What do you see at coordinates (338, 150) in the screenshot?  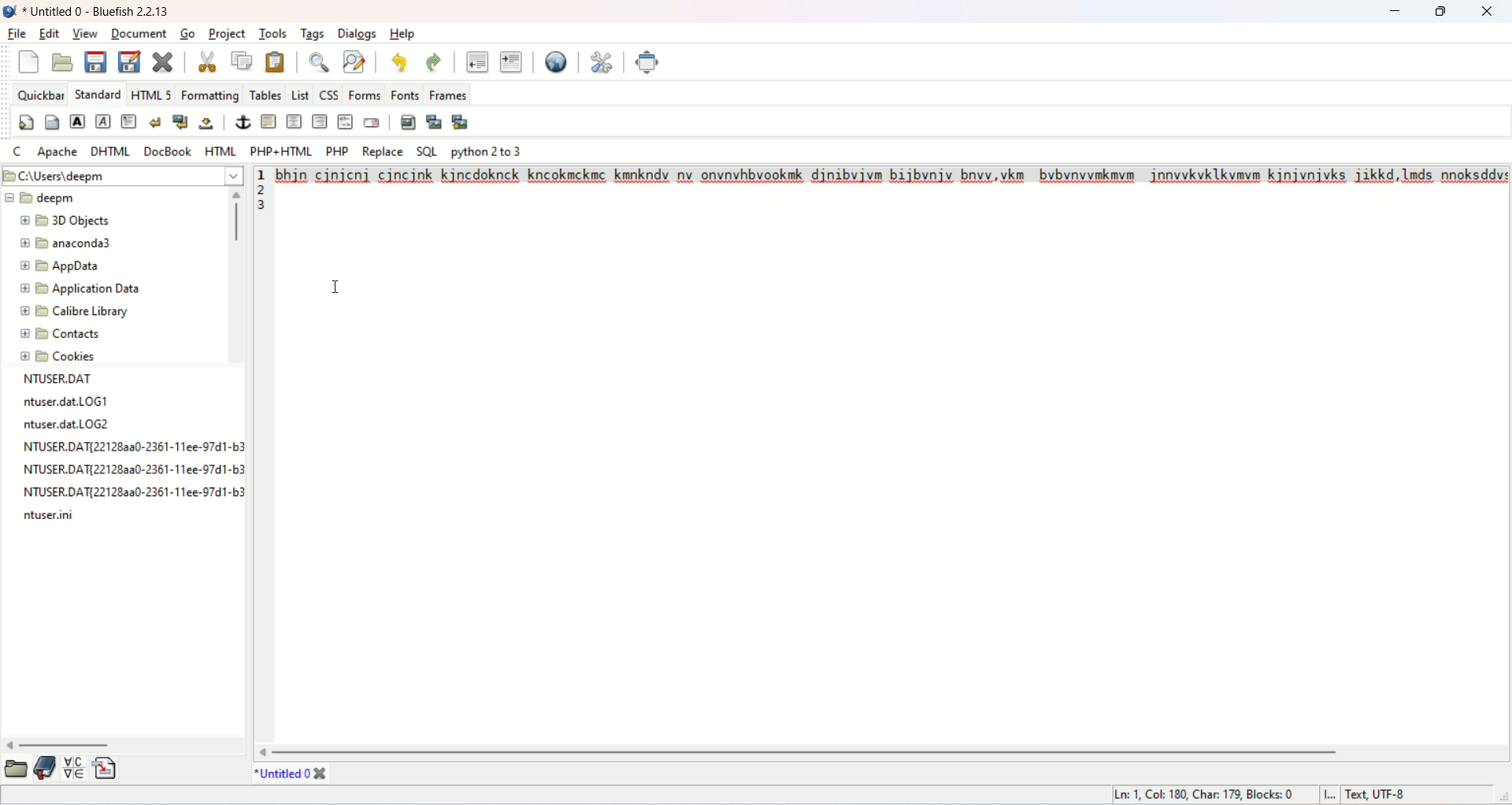 I see `PHP` at bounding box center [338, 150].